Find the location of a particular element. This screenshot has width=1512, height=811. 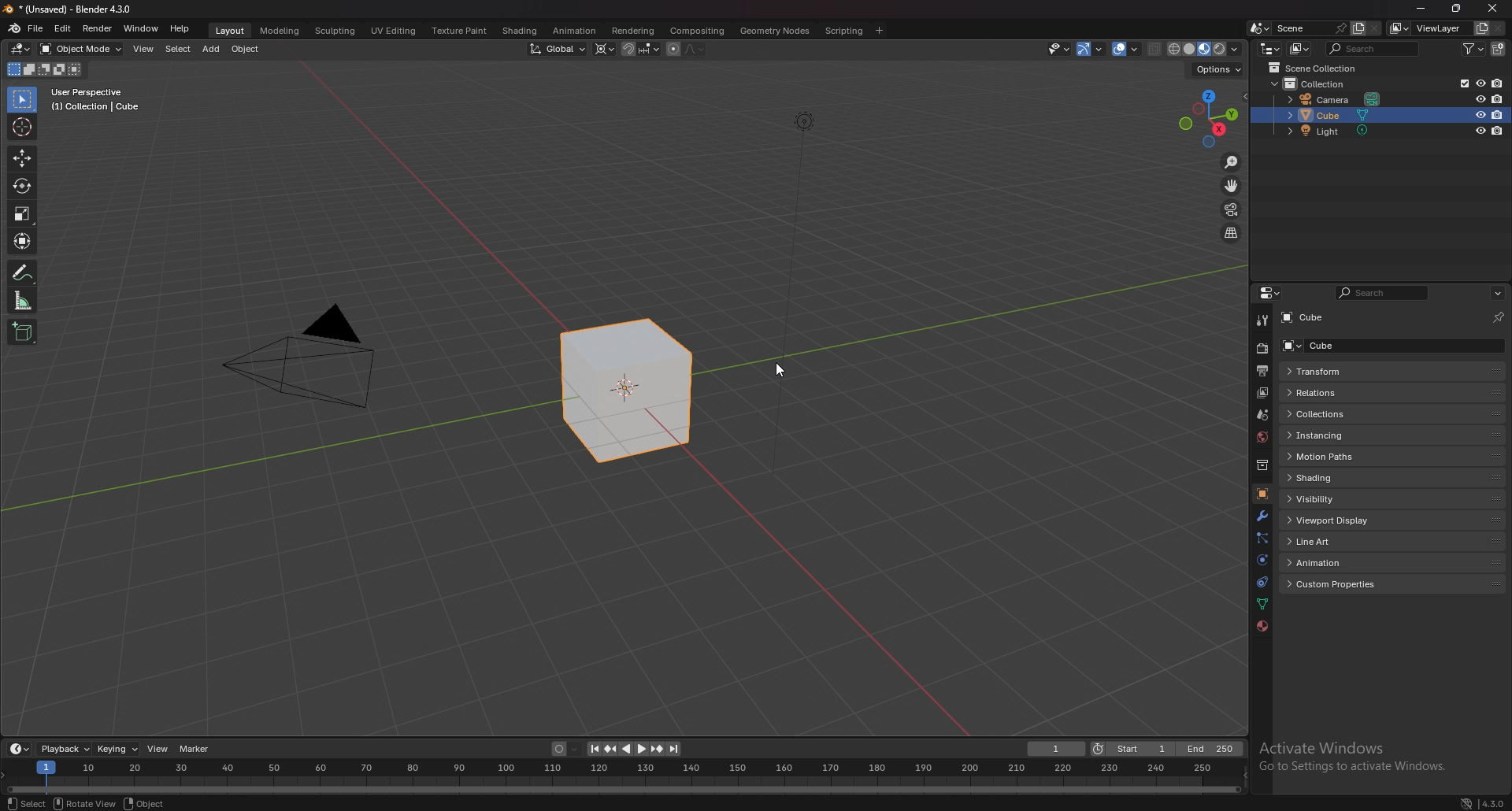

disable in renders is located at coordinates (1498, 114).